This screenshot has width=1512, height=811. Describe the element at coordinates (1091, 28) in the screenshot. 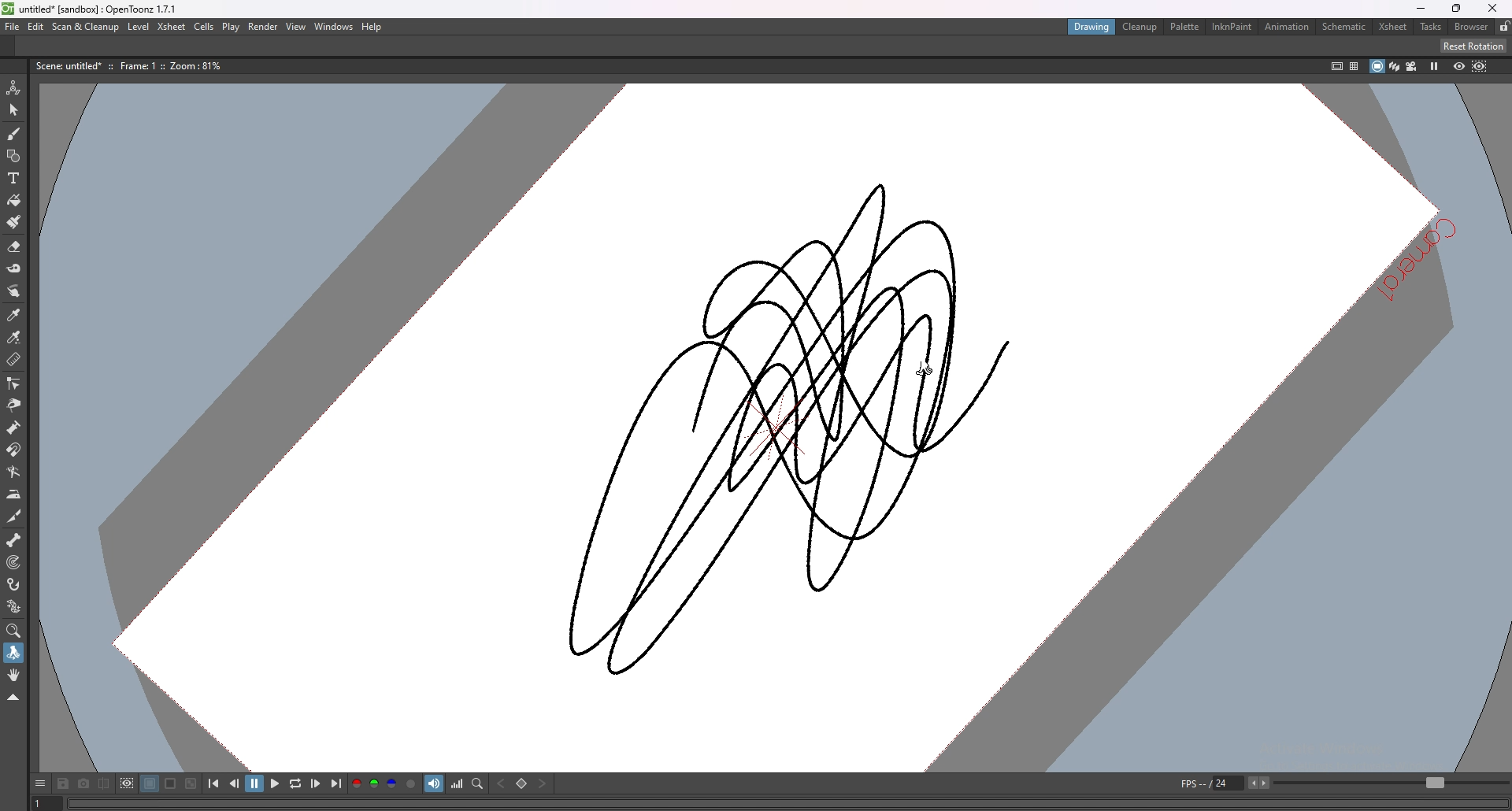

I see `drawing` at that location.